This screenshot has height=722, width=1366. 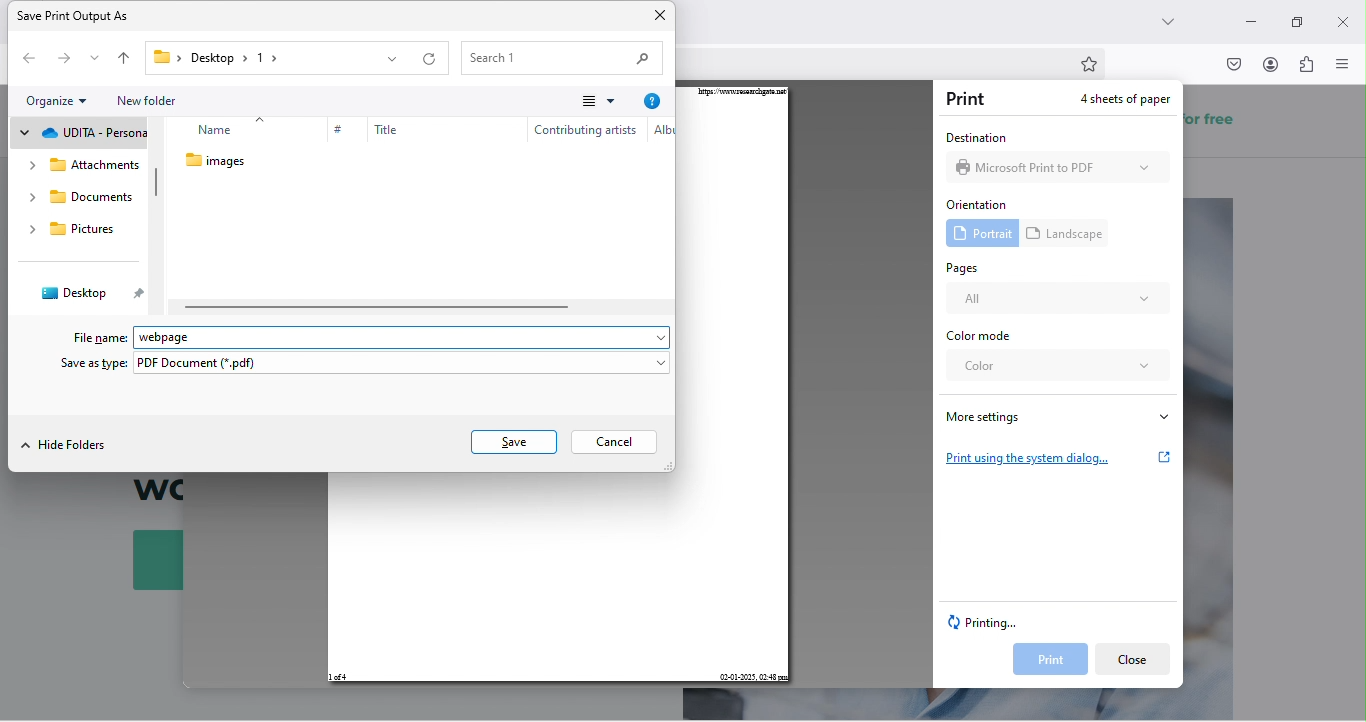 I want to click on pictures, so click(x=74, y=262).